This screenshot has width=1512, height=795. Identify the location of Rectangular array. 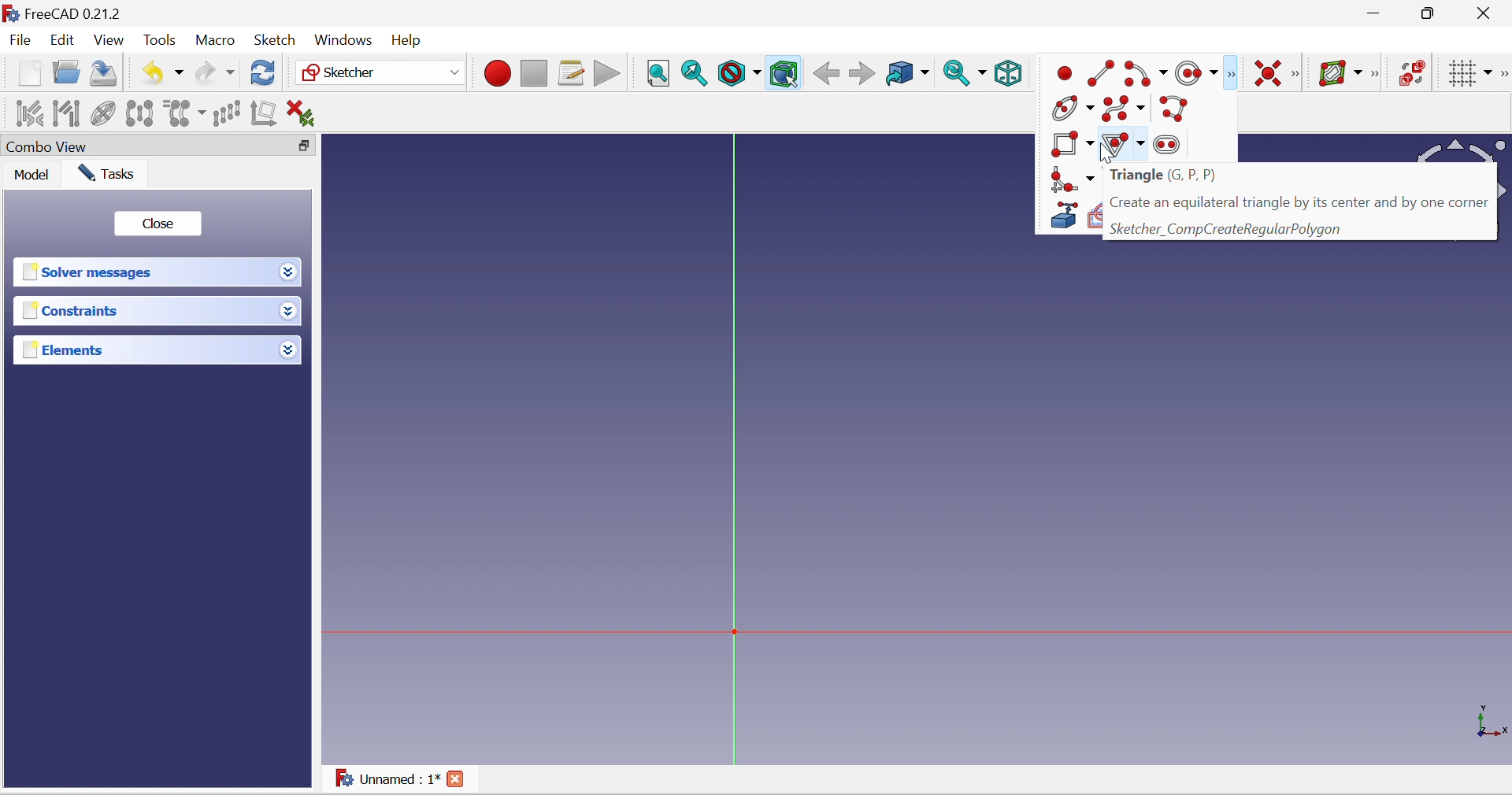
(228, 113).